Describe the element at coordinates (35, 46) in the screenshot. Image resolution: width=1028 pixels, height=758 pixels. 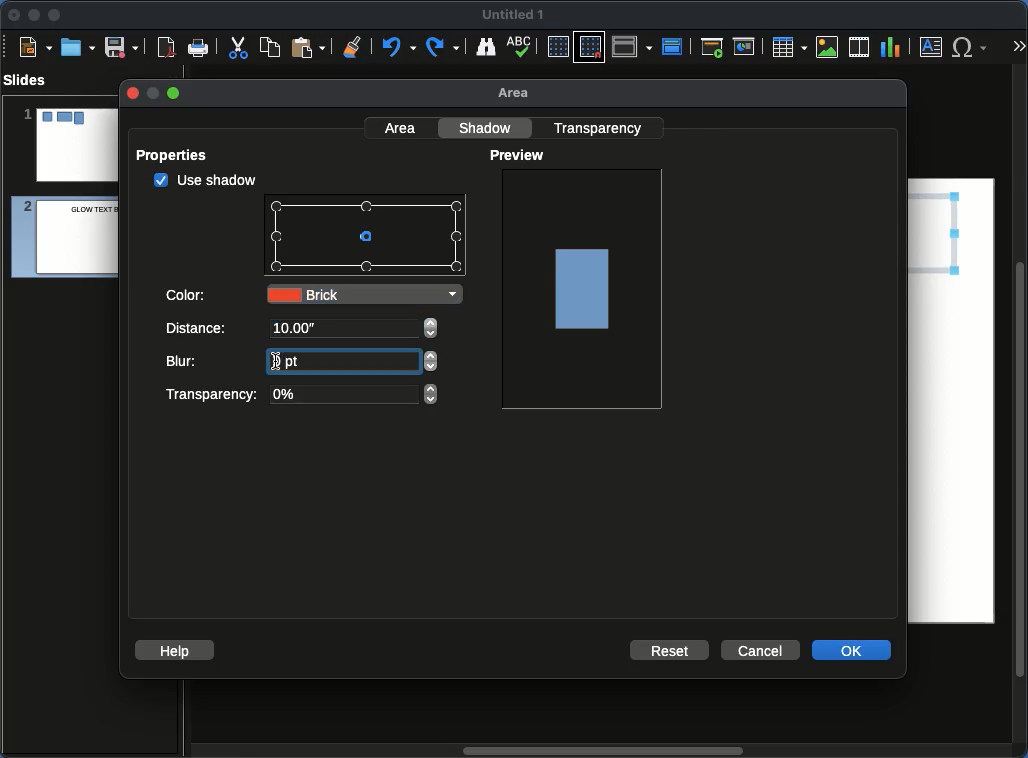
I see `New` at that location.